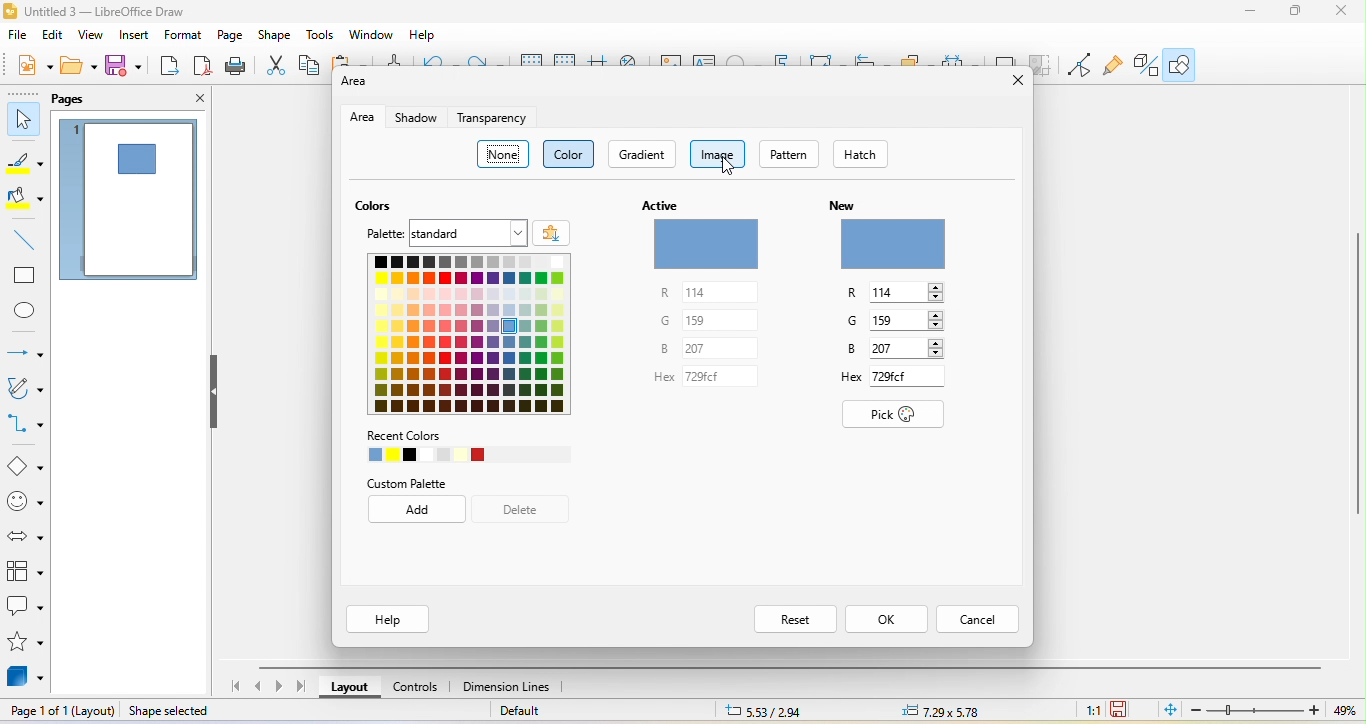 Image resolution: width=1366 pixels, height=724 pixels. What do you see at coordinates (80, 69) in the screenshot?
I see `open` at bounding box center [80, 69].